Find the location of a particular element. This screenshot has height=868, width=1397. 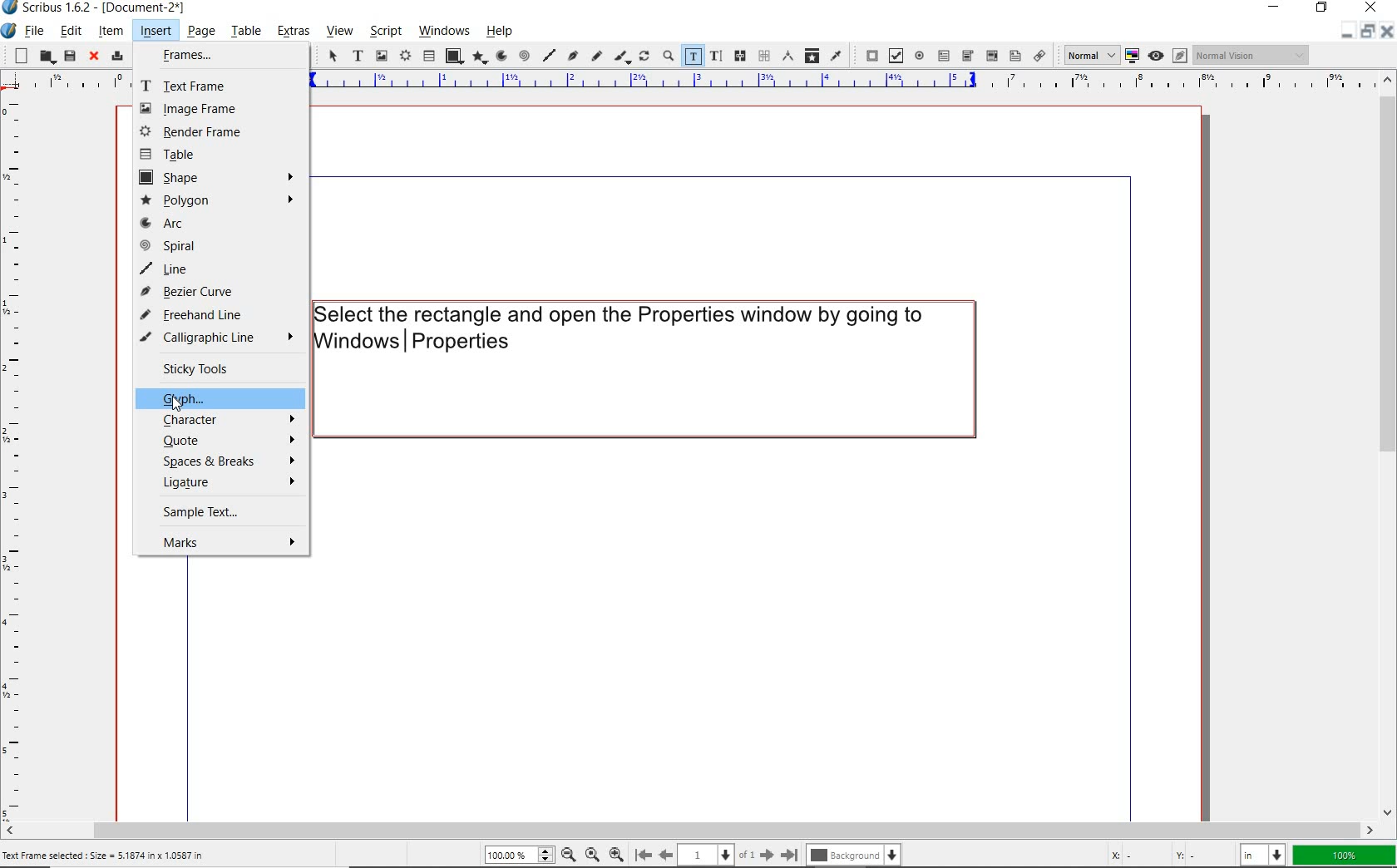

quote is located at coordinates (225, 440).